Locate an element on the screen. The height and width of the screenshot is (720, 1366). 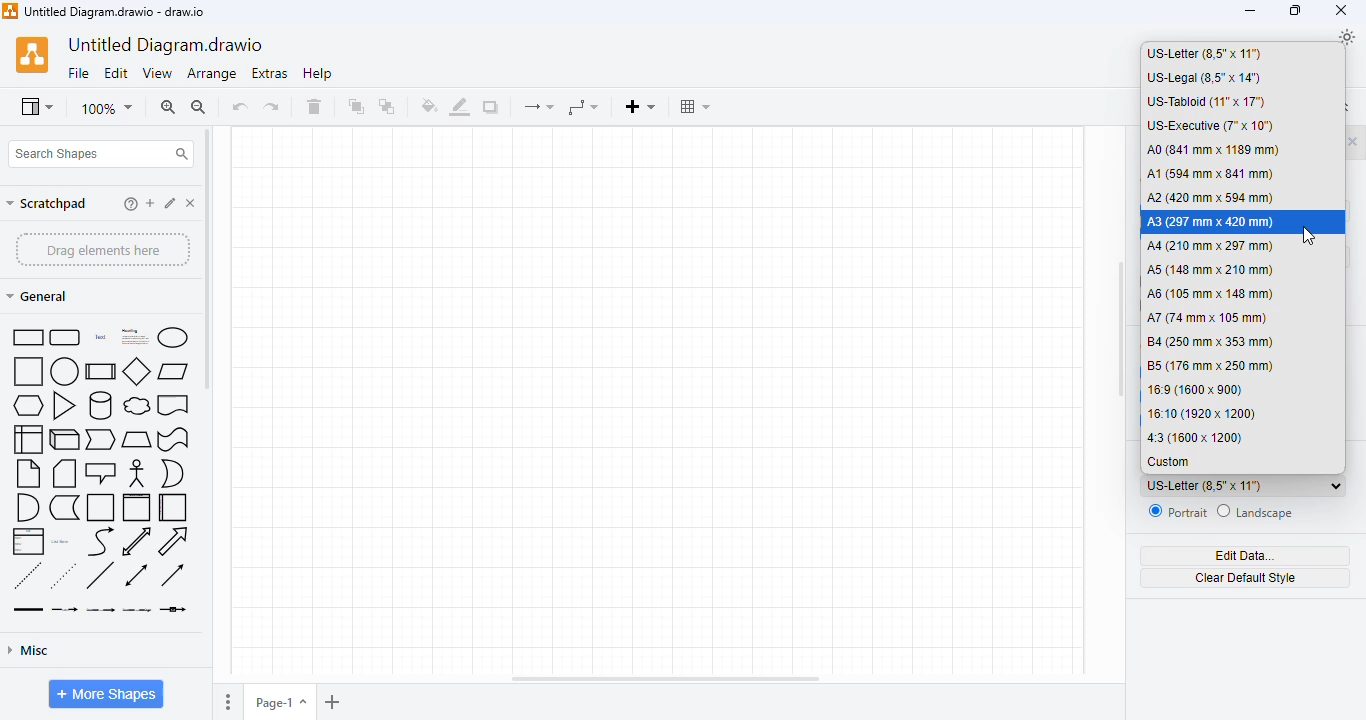
or is located at coordinates (172, 474).